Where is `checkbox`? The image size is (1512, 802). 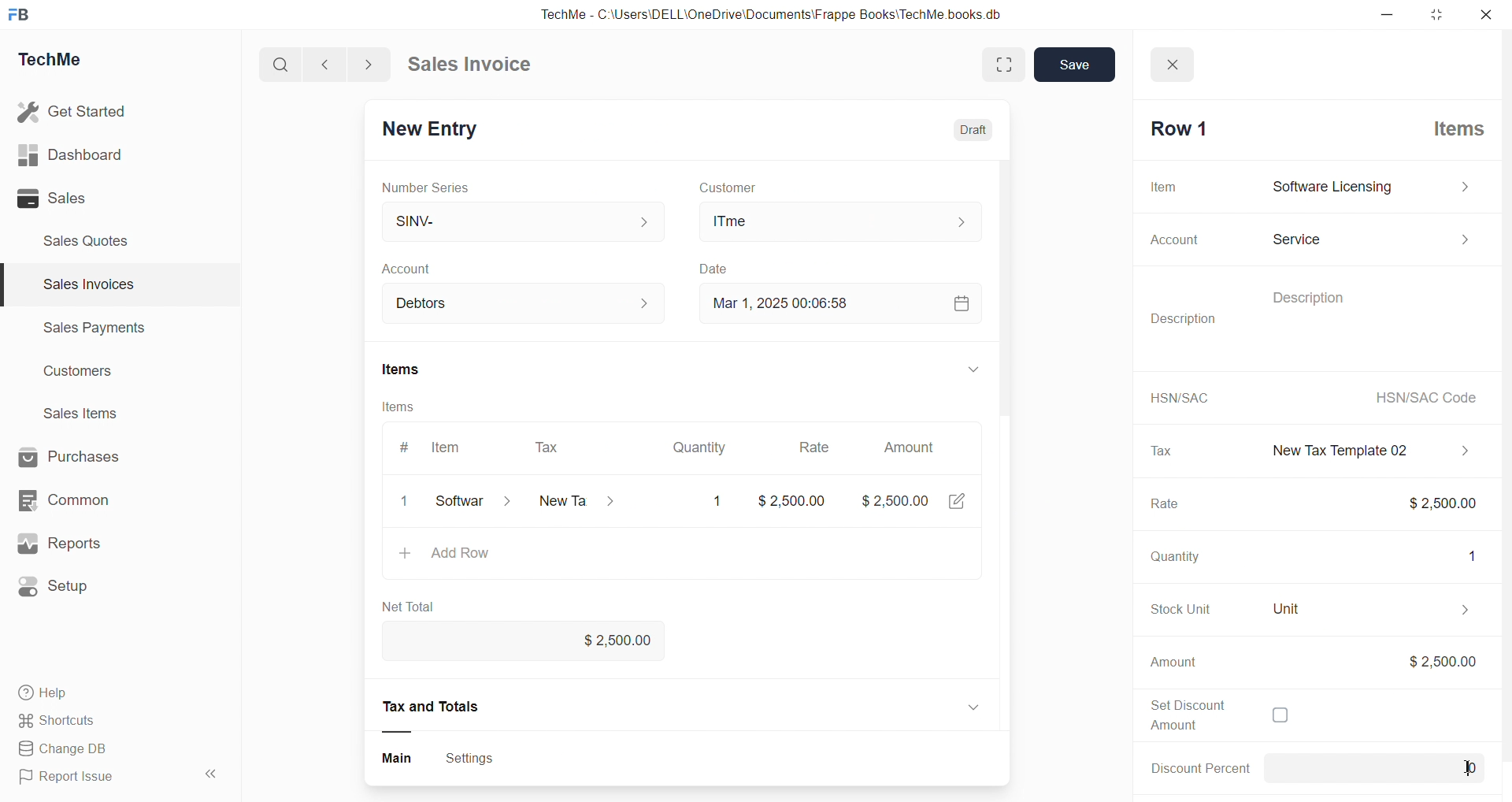 checkbox is located at coordinates (1279, 717).